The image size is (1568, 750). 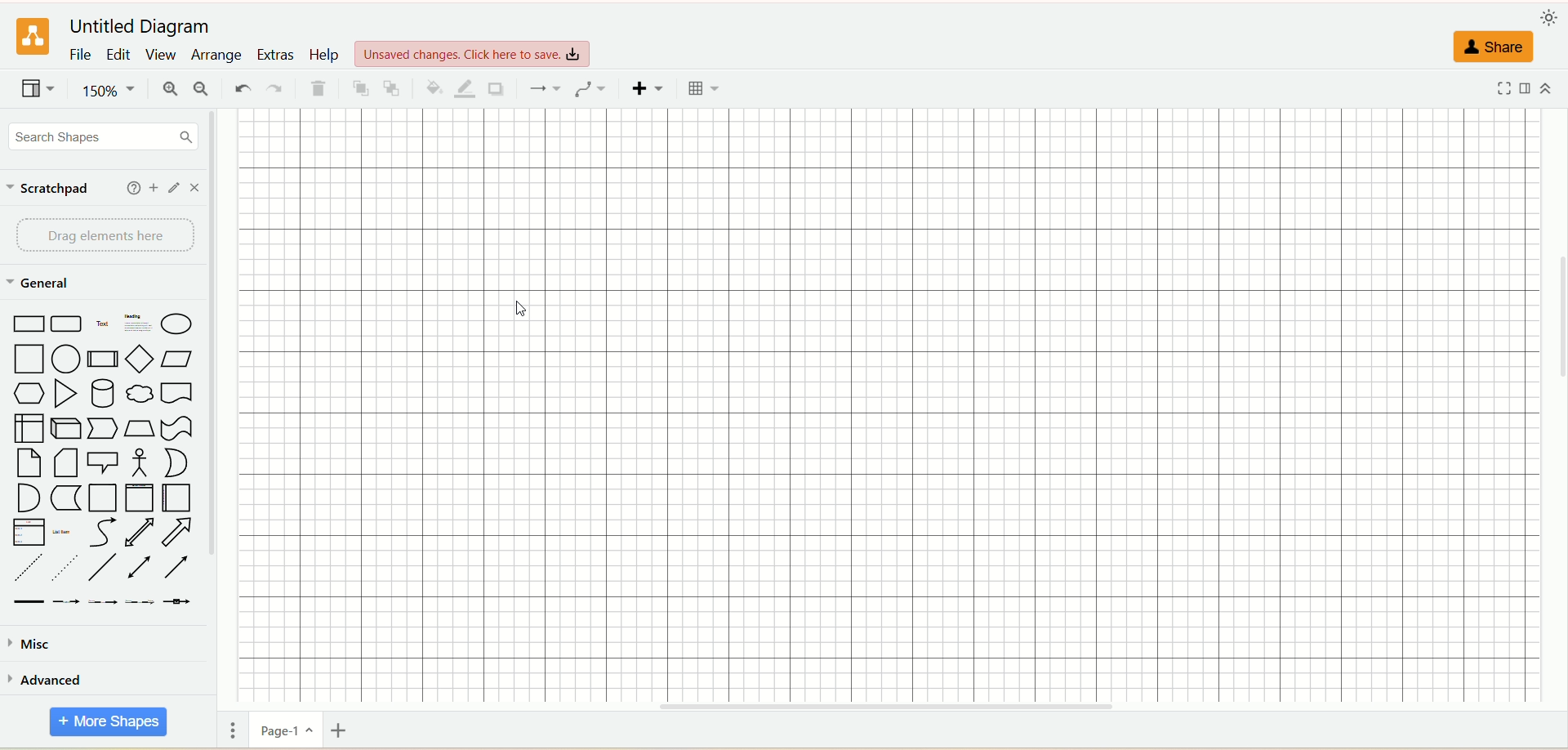 I want to click on general, so click(x=51, y=285).